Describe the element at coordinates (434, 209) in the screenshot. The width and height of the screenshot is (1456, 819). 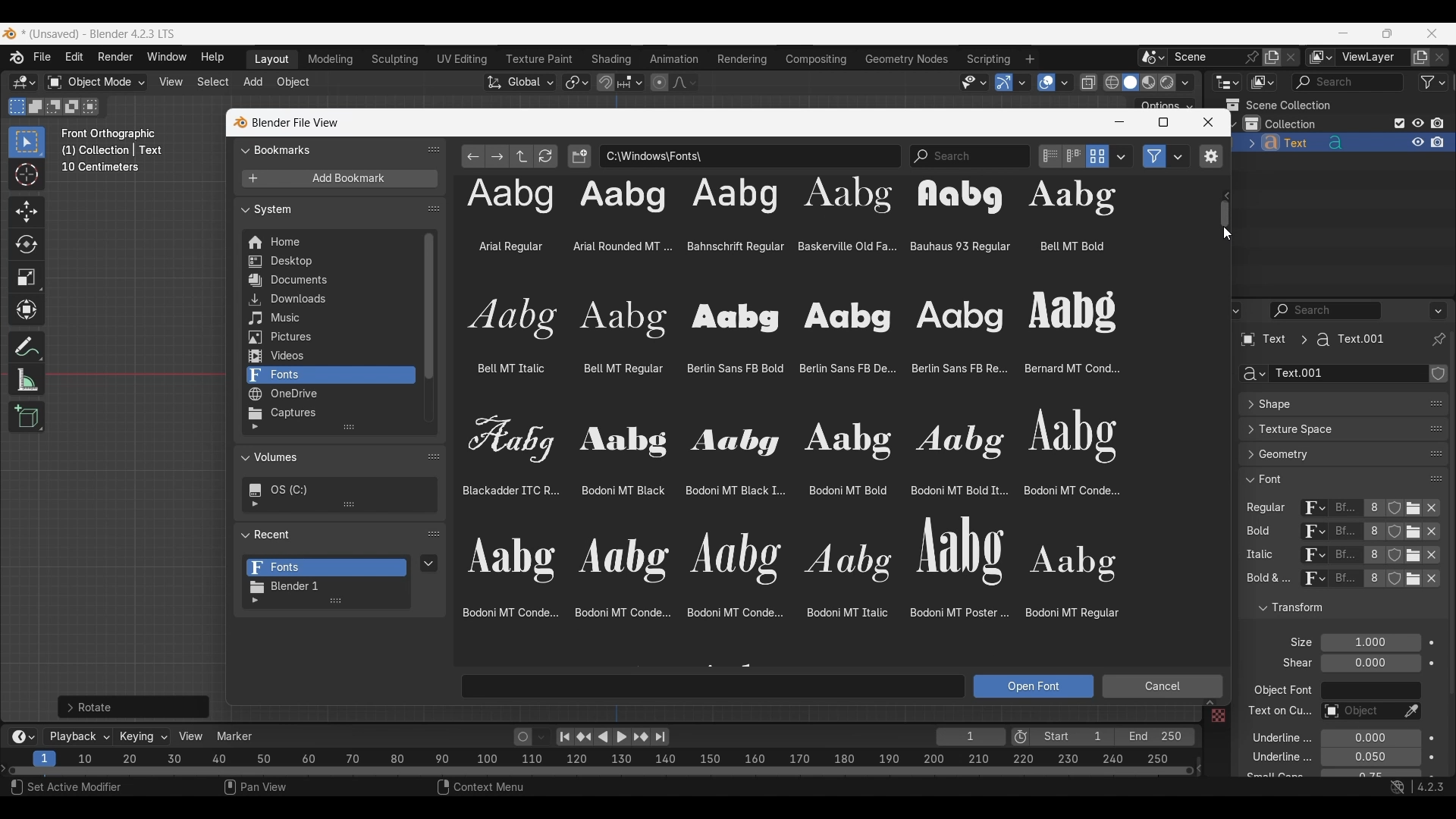
I see `Change order in list` at that location.